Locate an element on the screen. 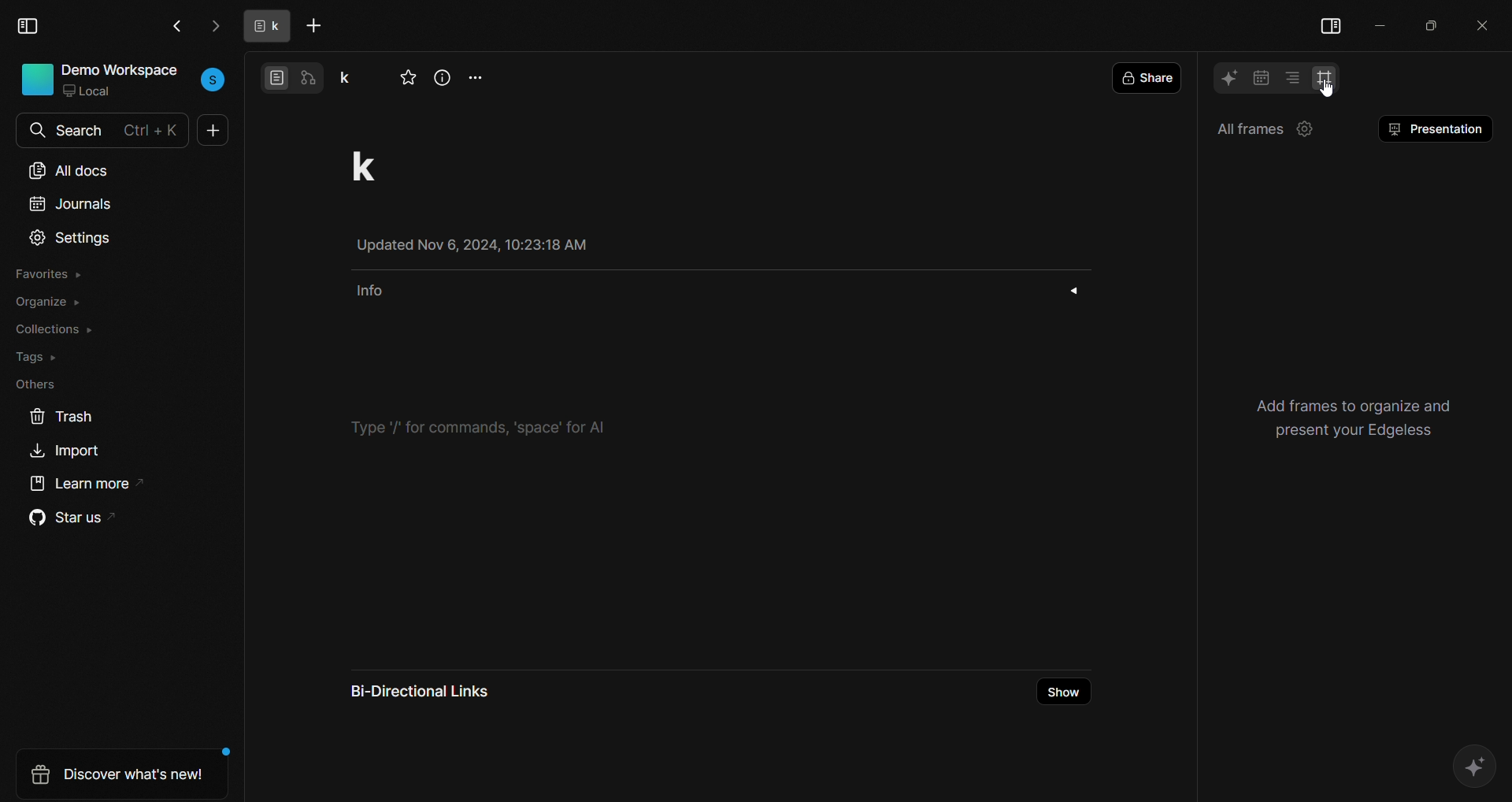 The height and width of the screenshot is (802, 1512). cursor is located at coordinates (1329, 86).